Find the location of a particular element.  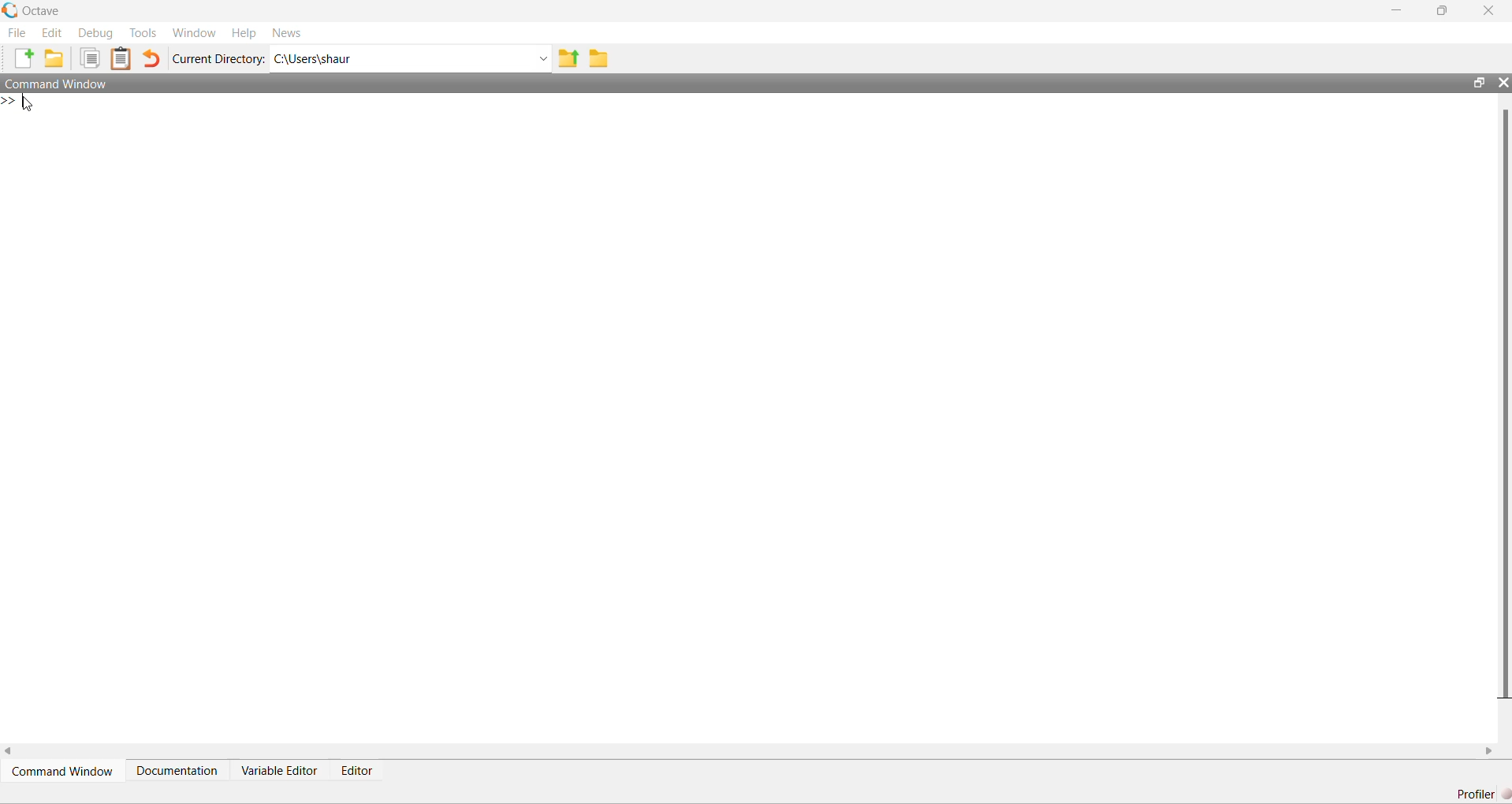

clipboard is located at coordinates (121, 58).